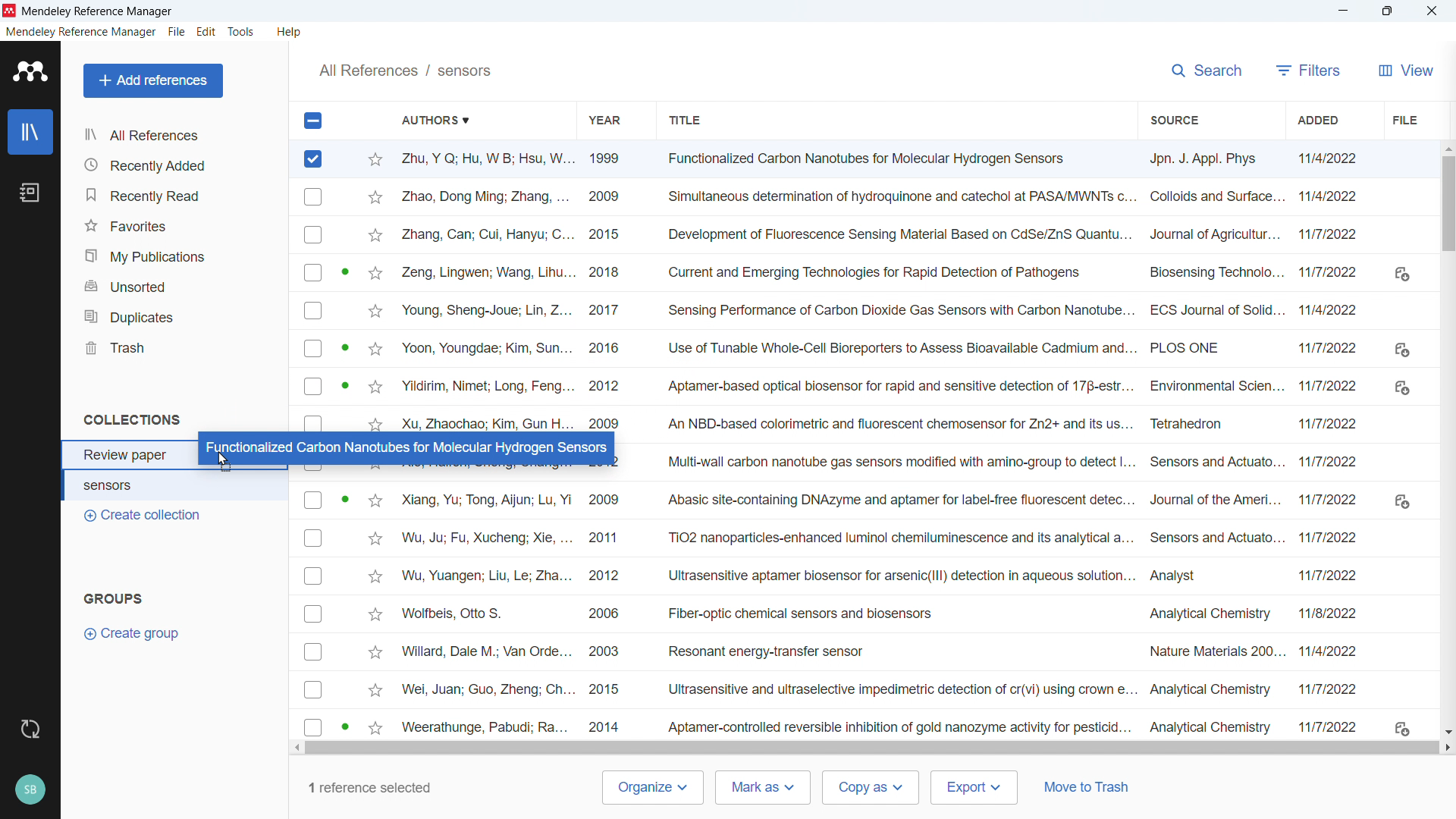 The height and width of the screenshot is (819, 1456). I want to click on Unsorted , so click(178, 287).